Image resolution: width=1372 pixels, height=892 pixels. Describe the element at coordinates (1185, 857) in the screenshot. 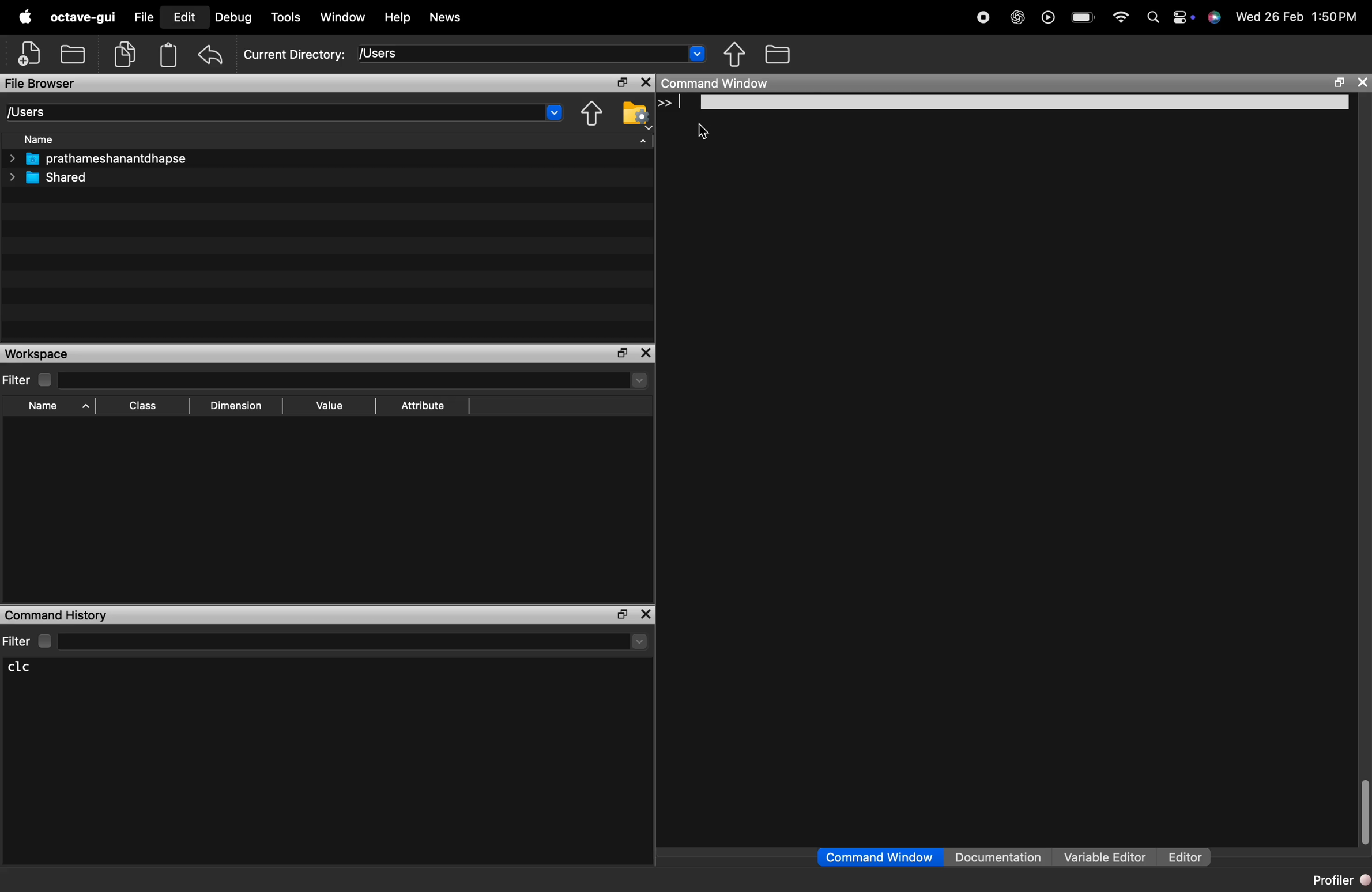

I see `Editor` at that location.